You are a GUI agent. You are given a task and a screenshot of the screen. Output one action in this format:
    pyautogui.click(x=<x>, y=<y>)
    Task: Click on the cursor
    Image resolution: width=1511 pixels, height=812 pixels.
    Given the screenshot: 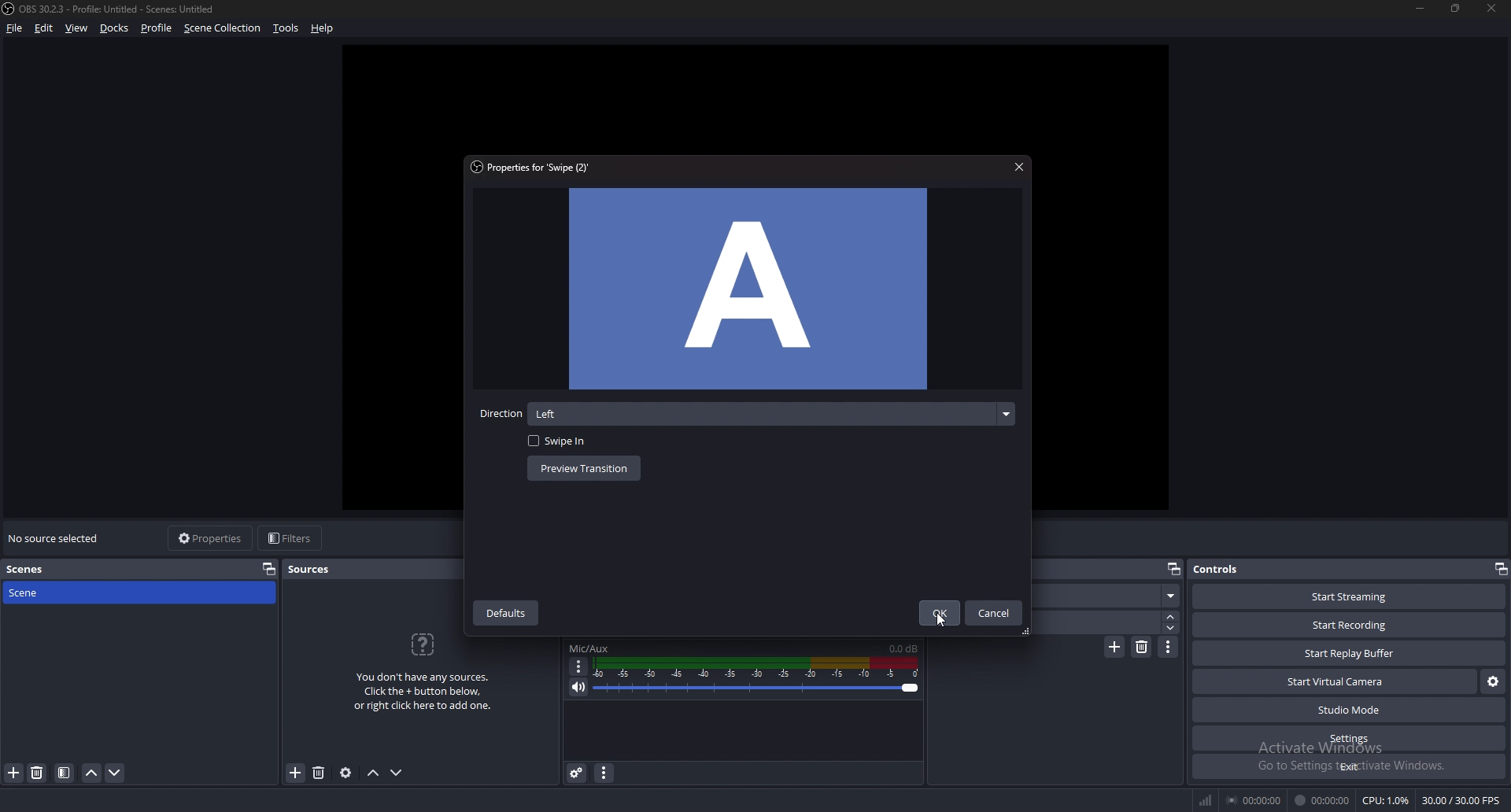 What is the action you would take?
    pyautogui.click(x=940, y=621)
    